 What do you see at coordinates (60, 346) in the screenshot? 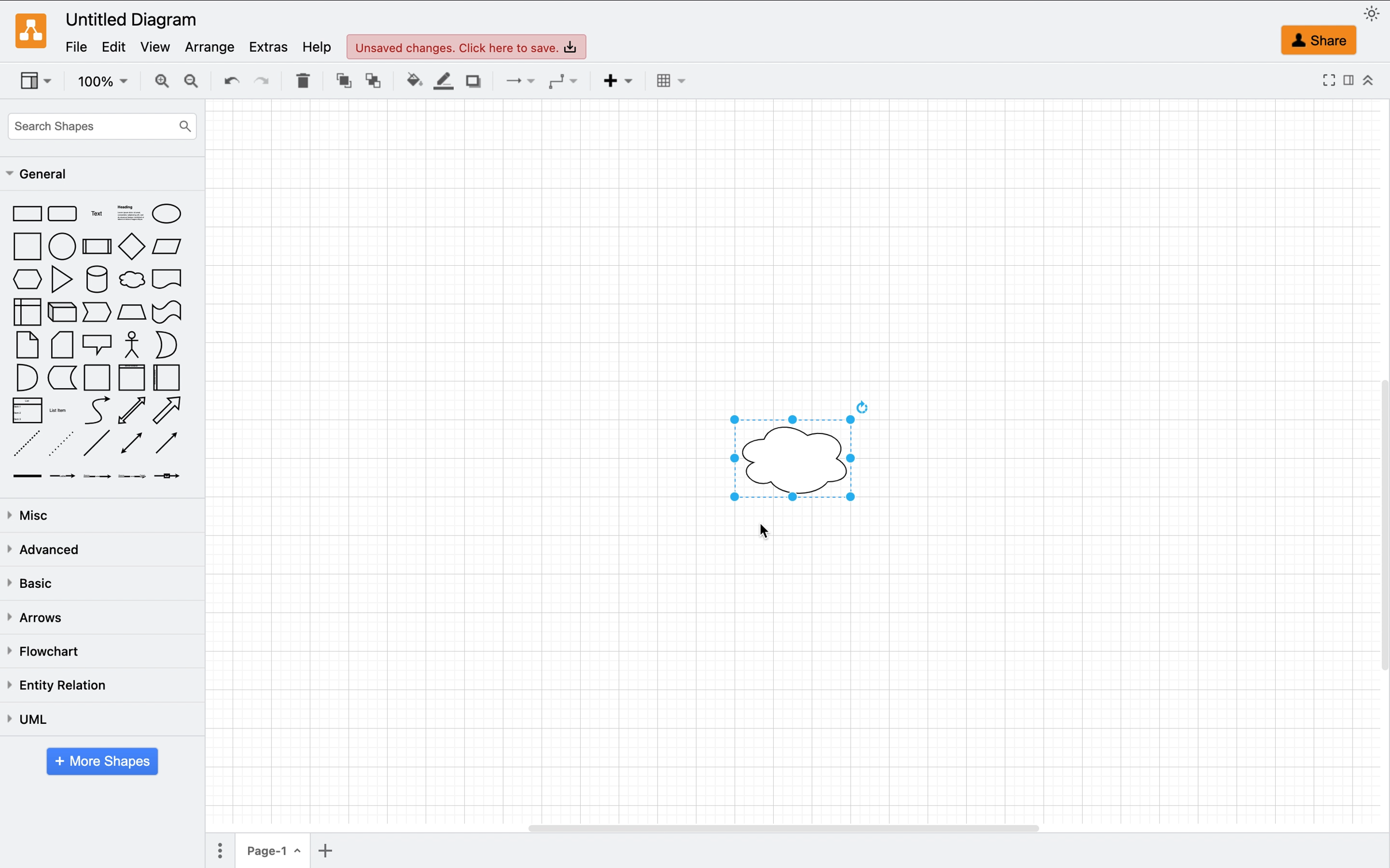
I see `card` at bounding box center [60, 346].